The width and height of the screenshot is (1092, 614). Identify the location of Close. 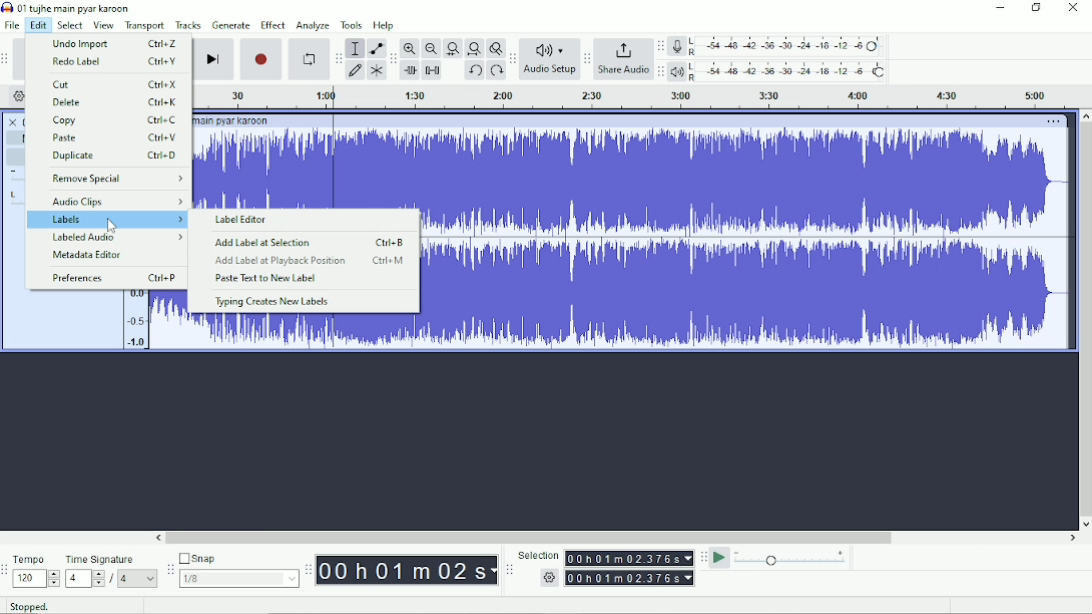
(1072, 10).